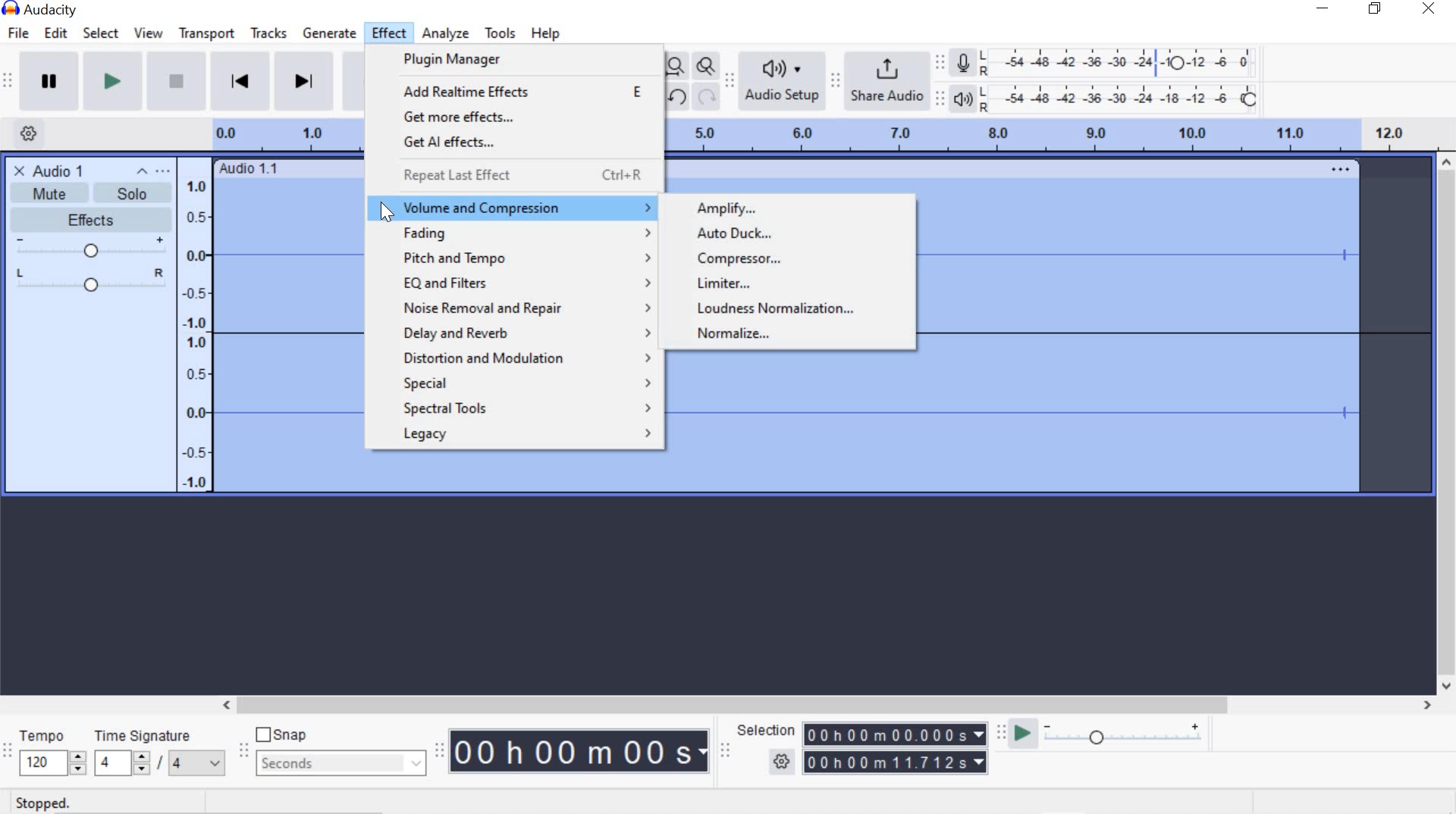  Describe the element at coordinates (8, 751) in the screenshot. I see `Time signature toolbar` at that location.